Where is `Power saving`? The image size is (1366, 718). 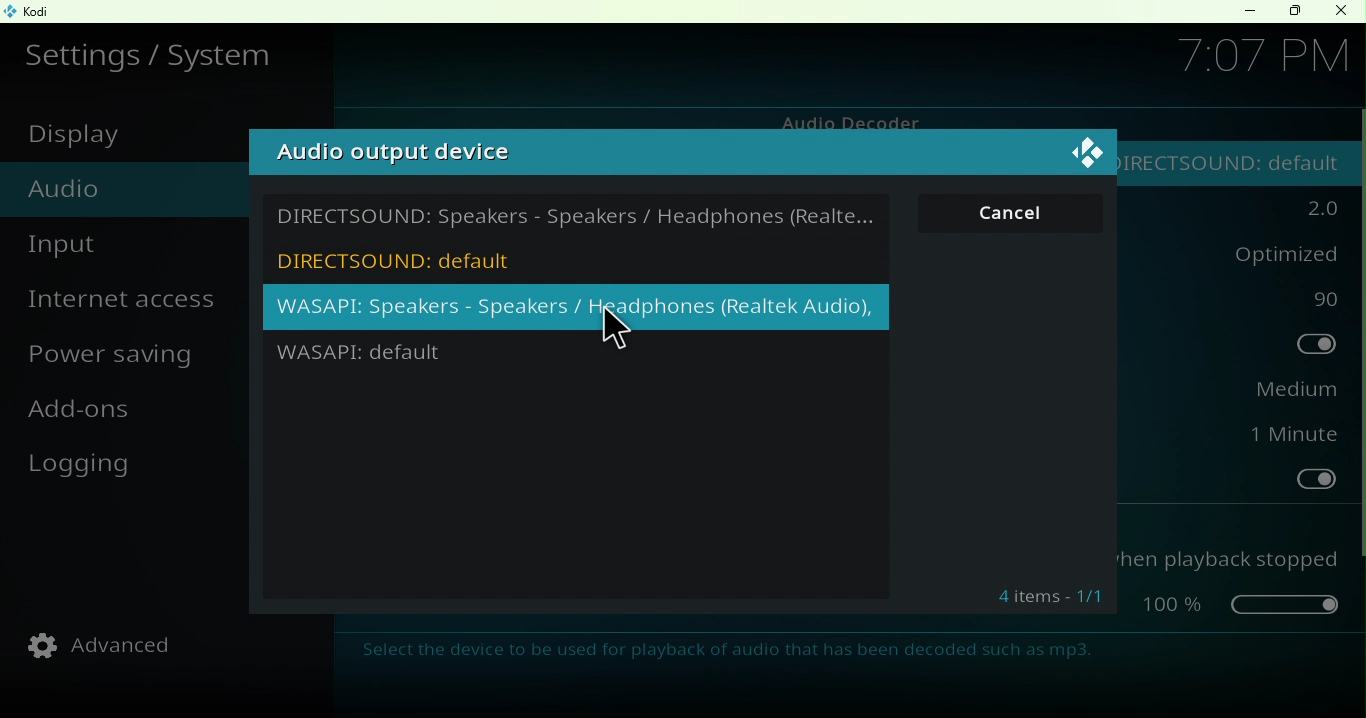 Power saving is located at coordinates (121, 356).